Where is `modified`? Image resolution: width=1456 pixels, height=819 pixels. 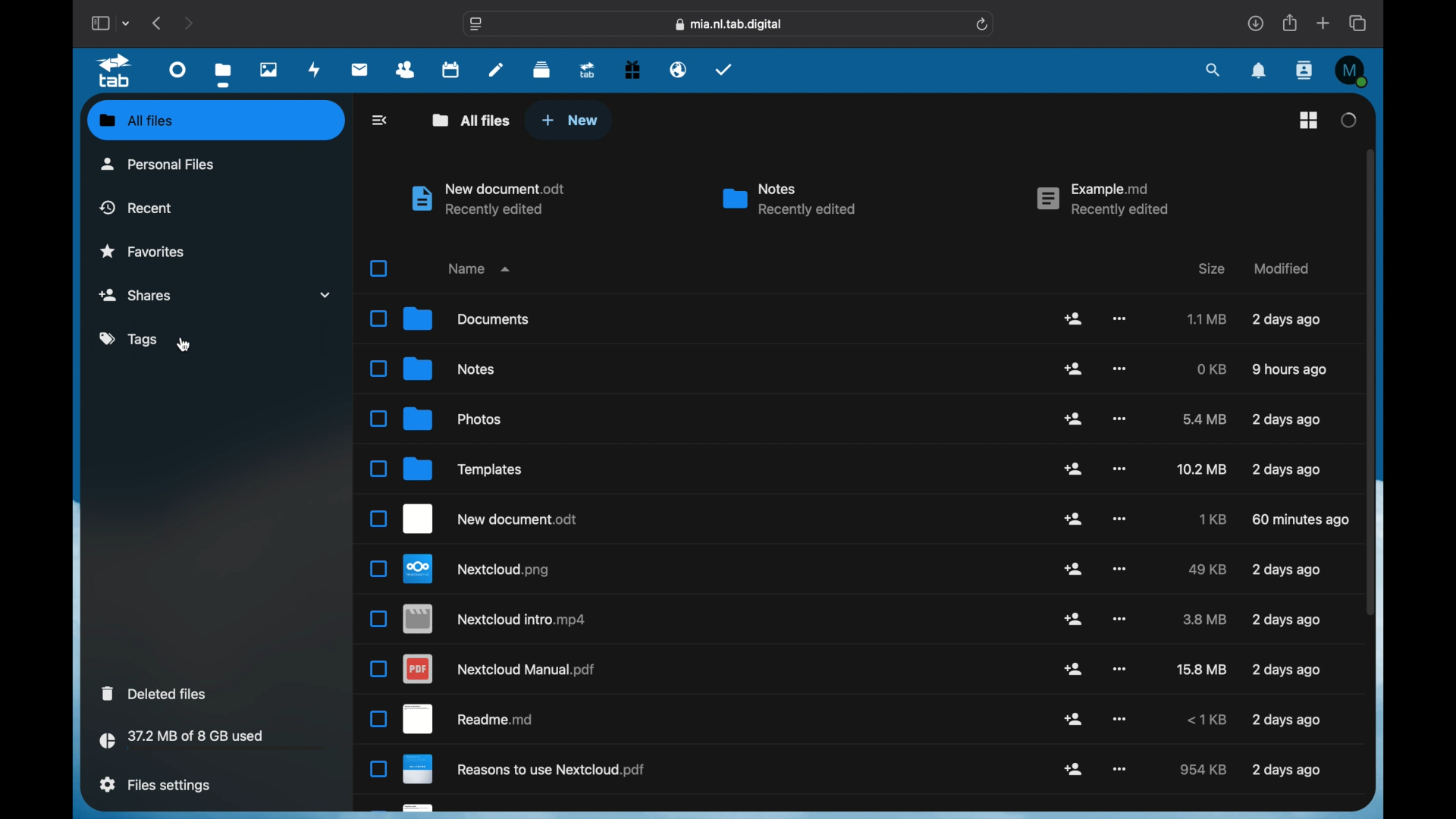 modified is located at coordinates (1286, 419).